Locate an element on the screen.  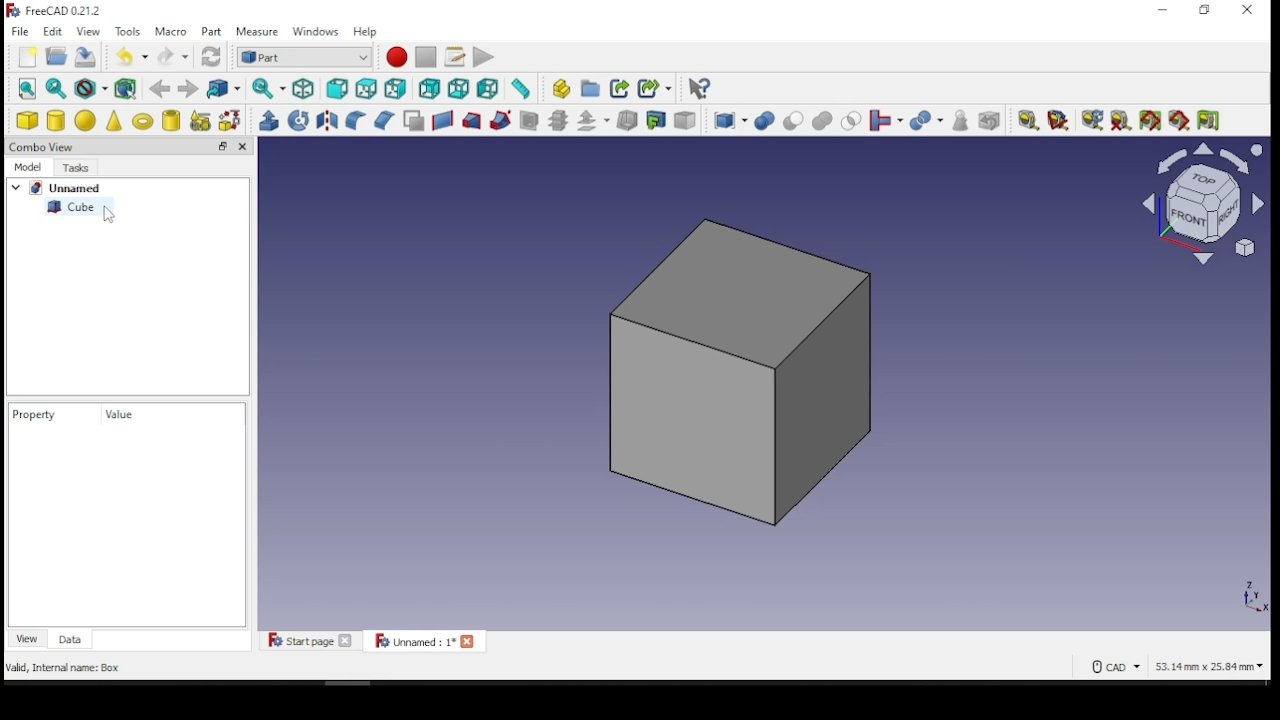
intersection is located at coordinates (850, 122).